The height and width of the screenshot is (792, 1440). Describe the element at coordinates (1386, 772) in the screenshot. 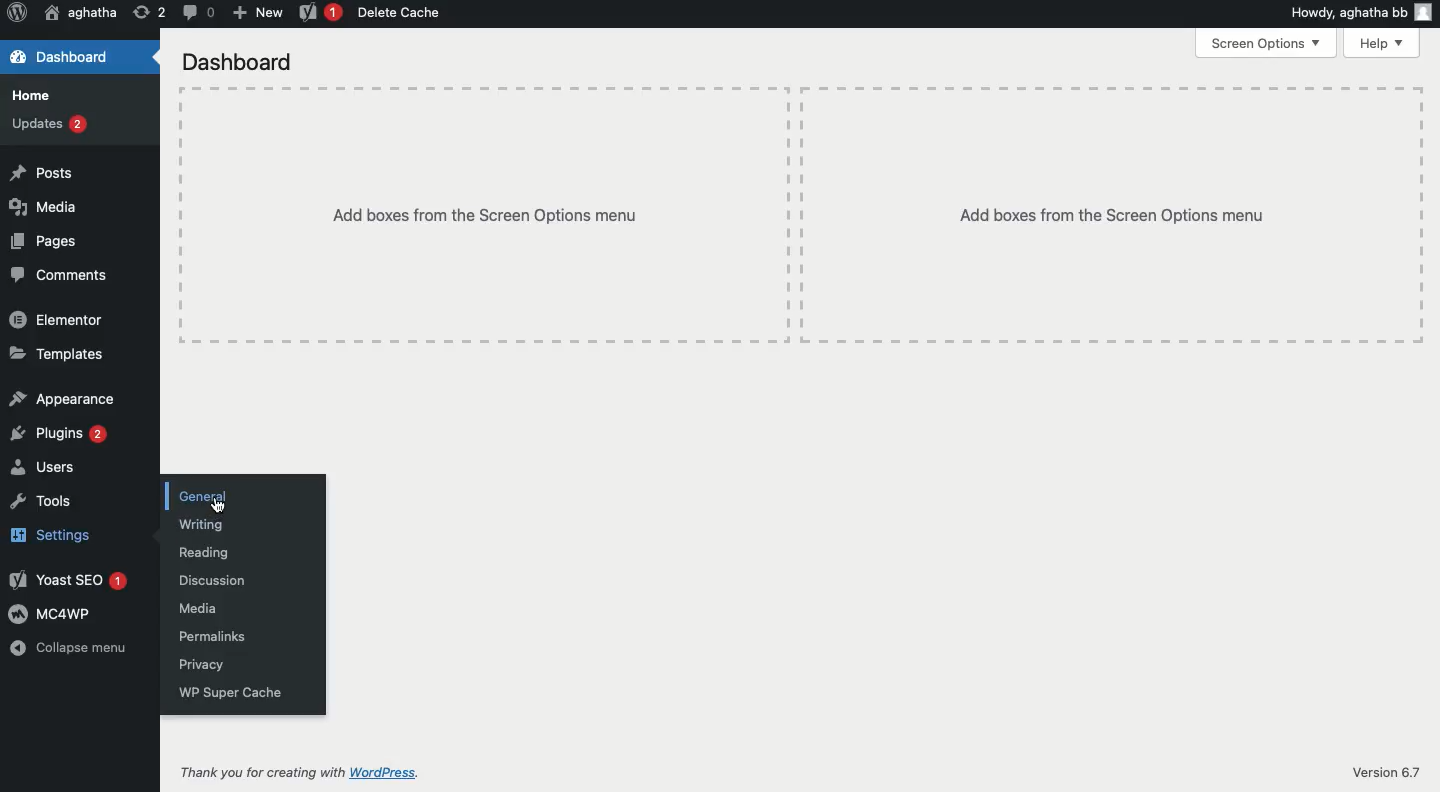

I see `Version 6.7` at that location.